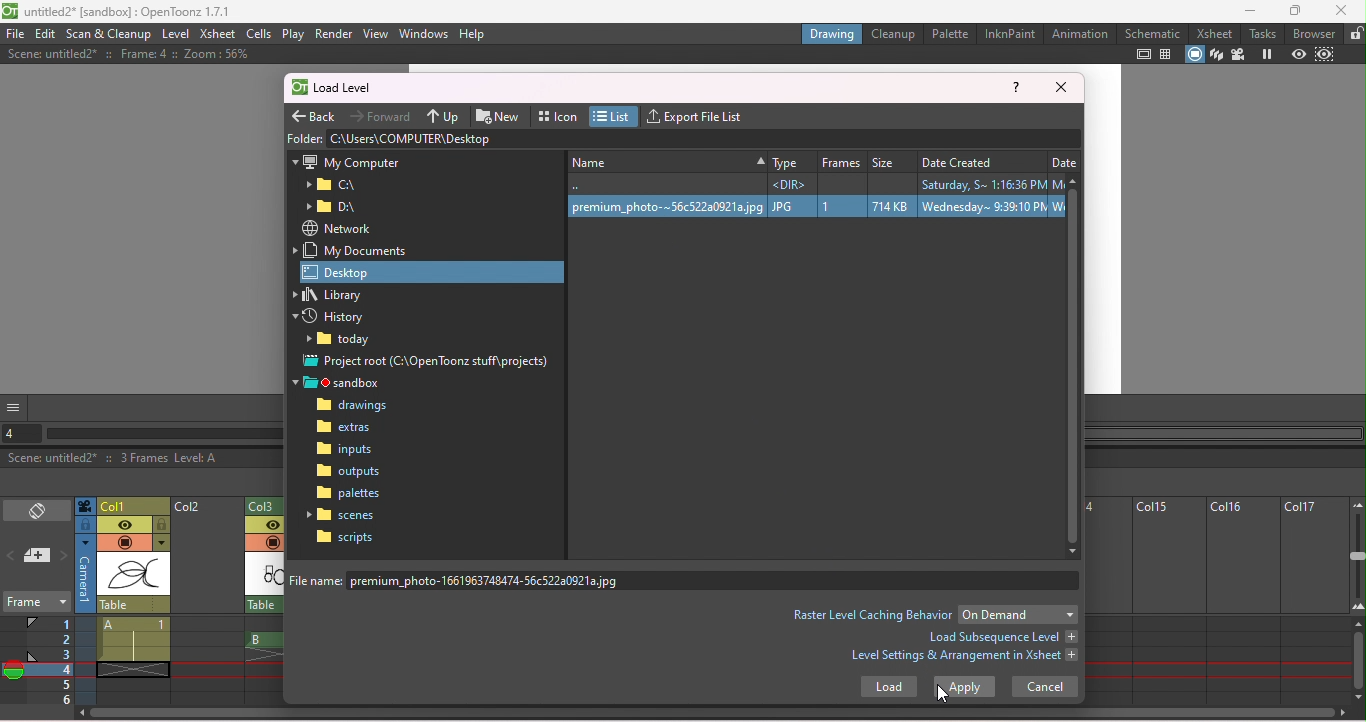  Describe the element at coordinates (293, 34) in the screenshot. I see `Play` at that location.